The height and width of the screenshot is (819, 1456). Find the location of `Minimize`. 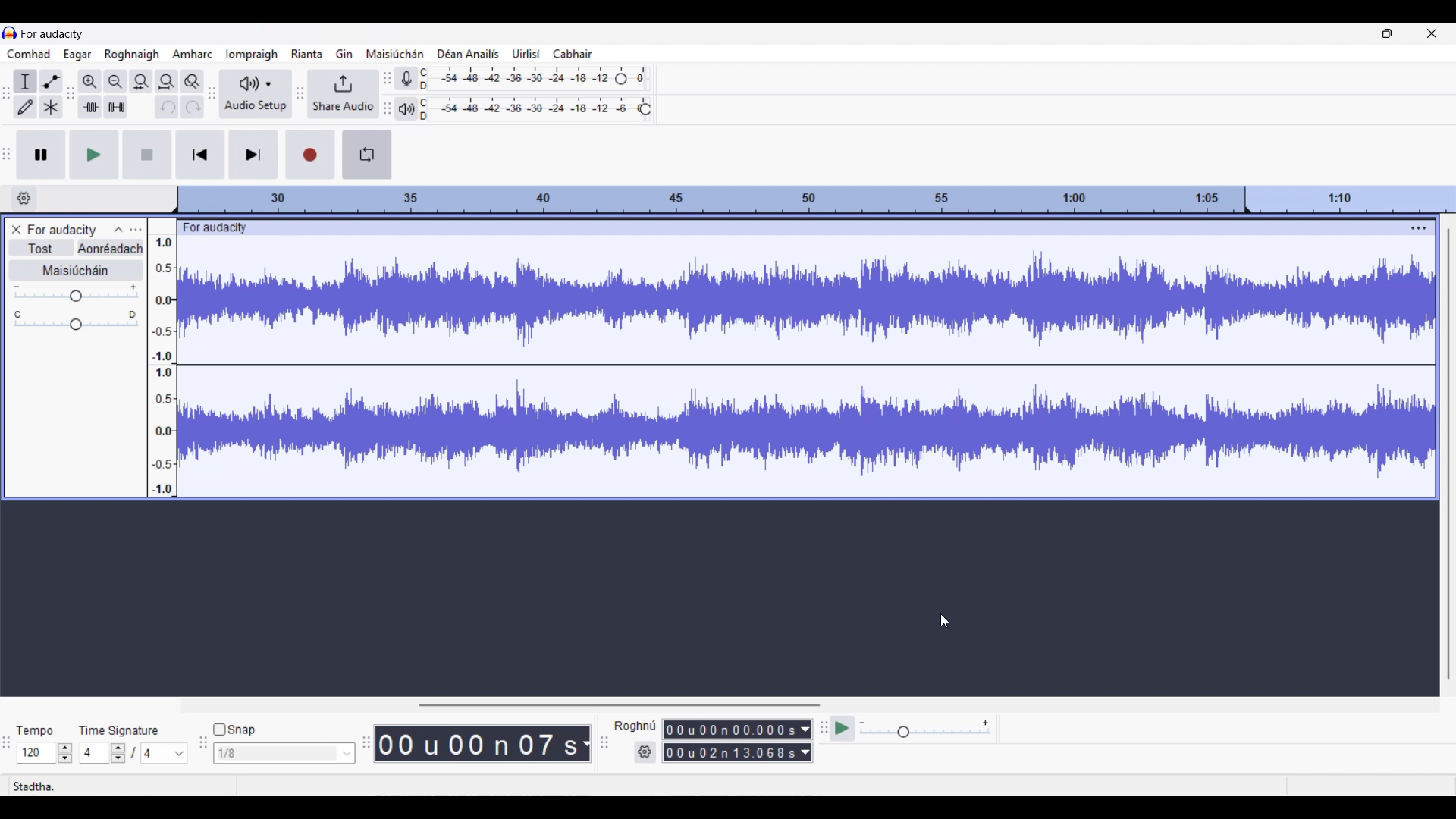

Minimize is located at coordinates (1344, 33).